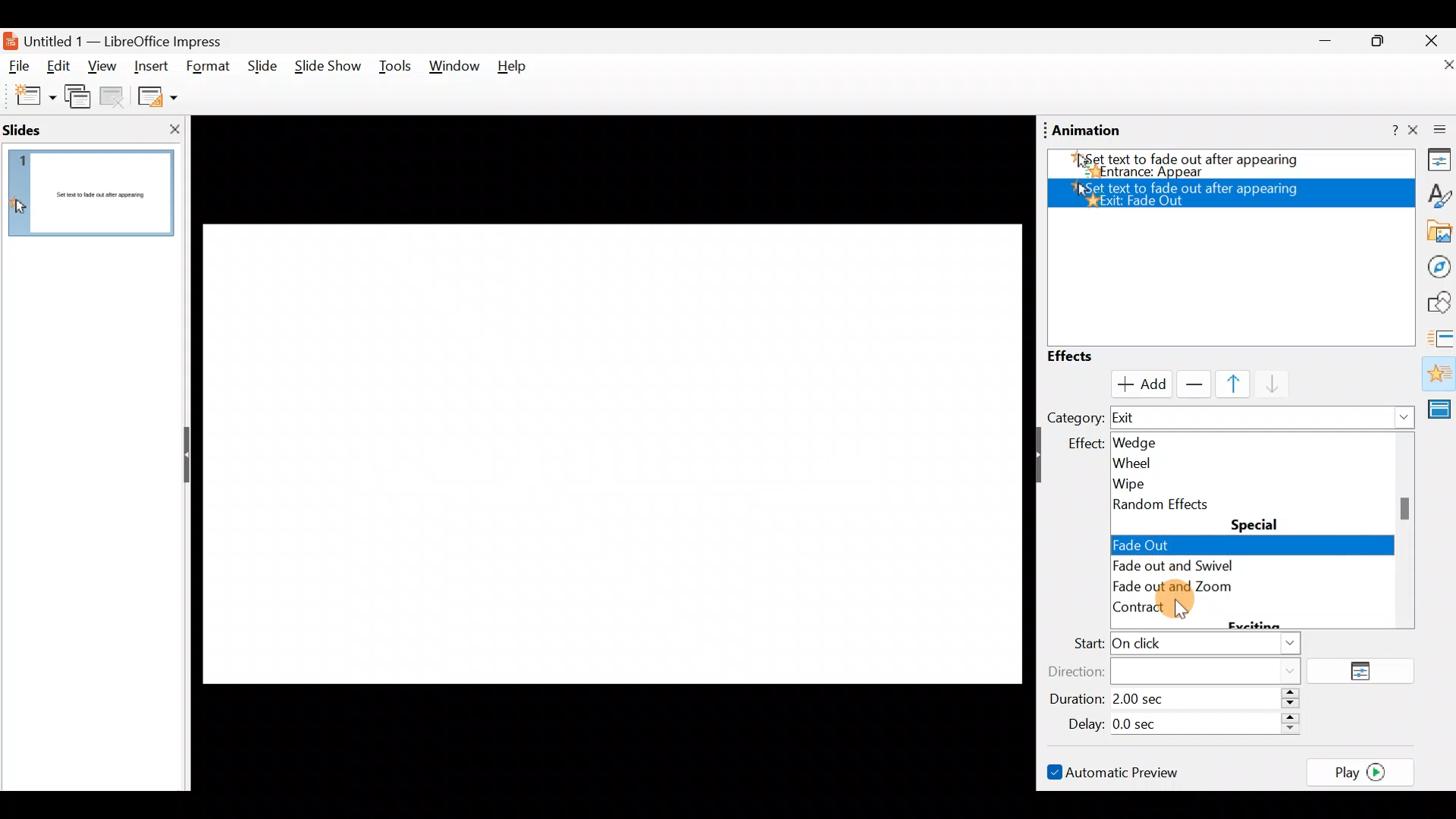 Image resolution: width=1456 pixels, height=819 pixels. Describe the element at coordinates (455, 70) in the screenshot. I see `Window` at that location.